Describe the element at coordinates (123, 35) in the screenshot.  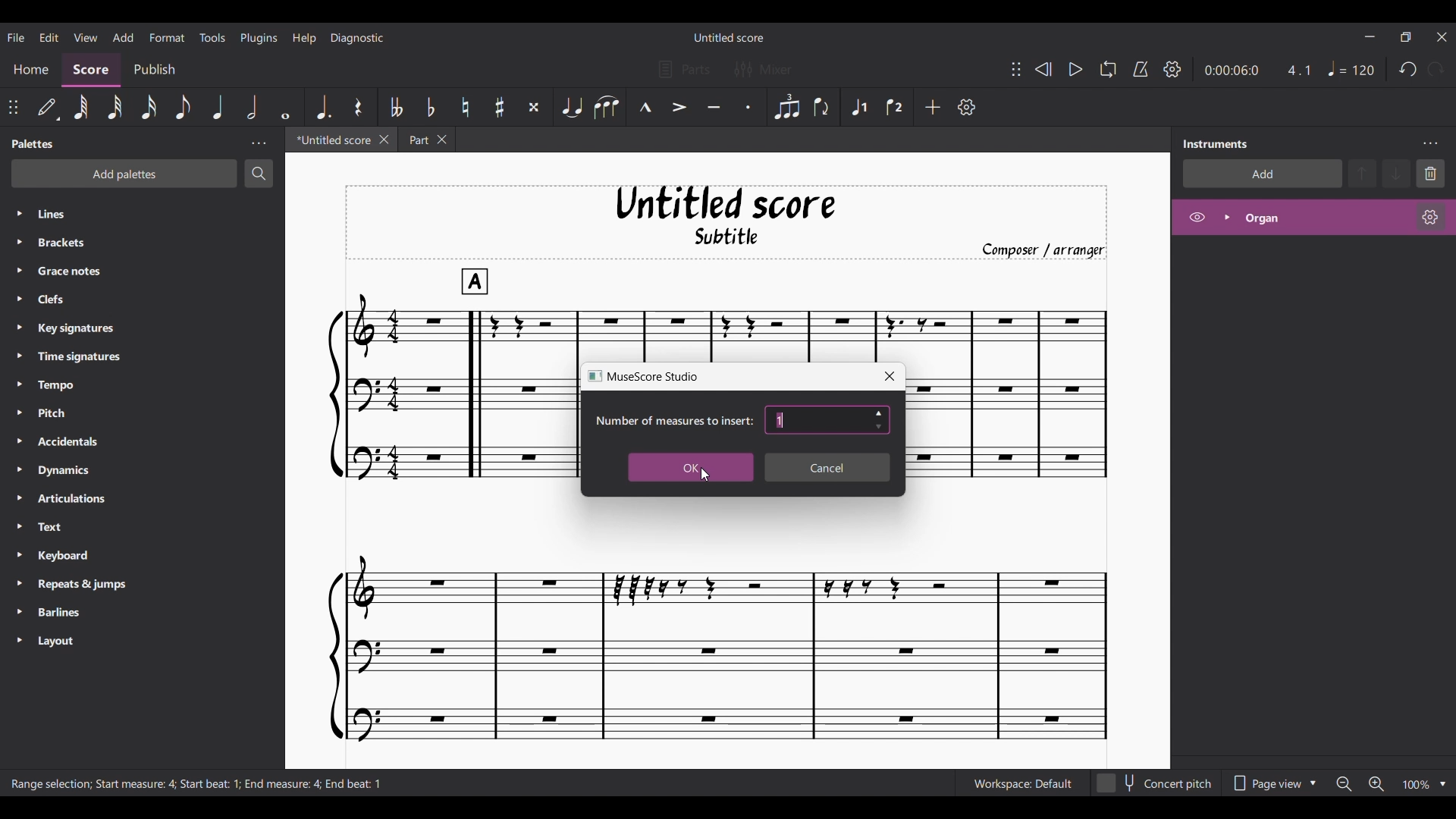
I see `Add menu` at that location.